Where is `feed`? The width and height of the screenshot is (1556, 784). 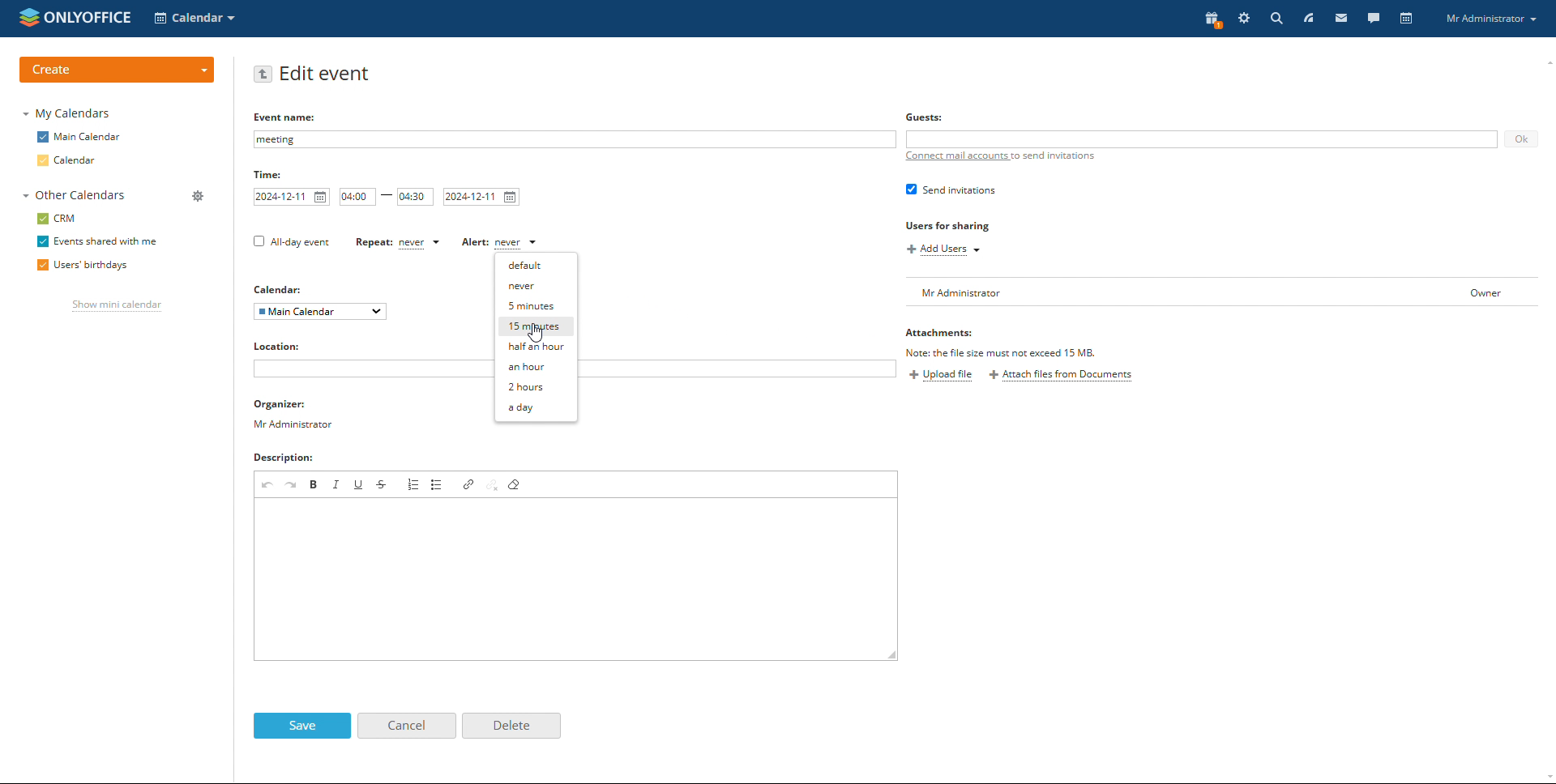 feed is located at coordinates (1310, 17).